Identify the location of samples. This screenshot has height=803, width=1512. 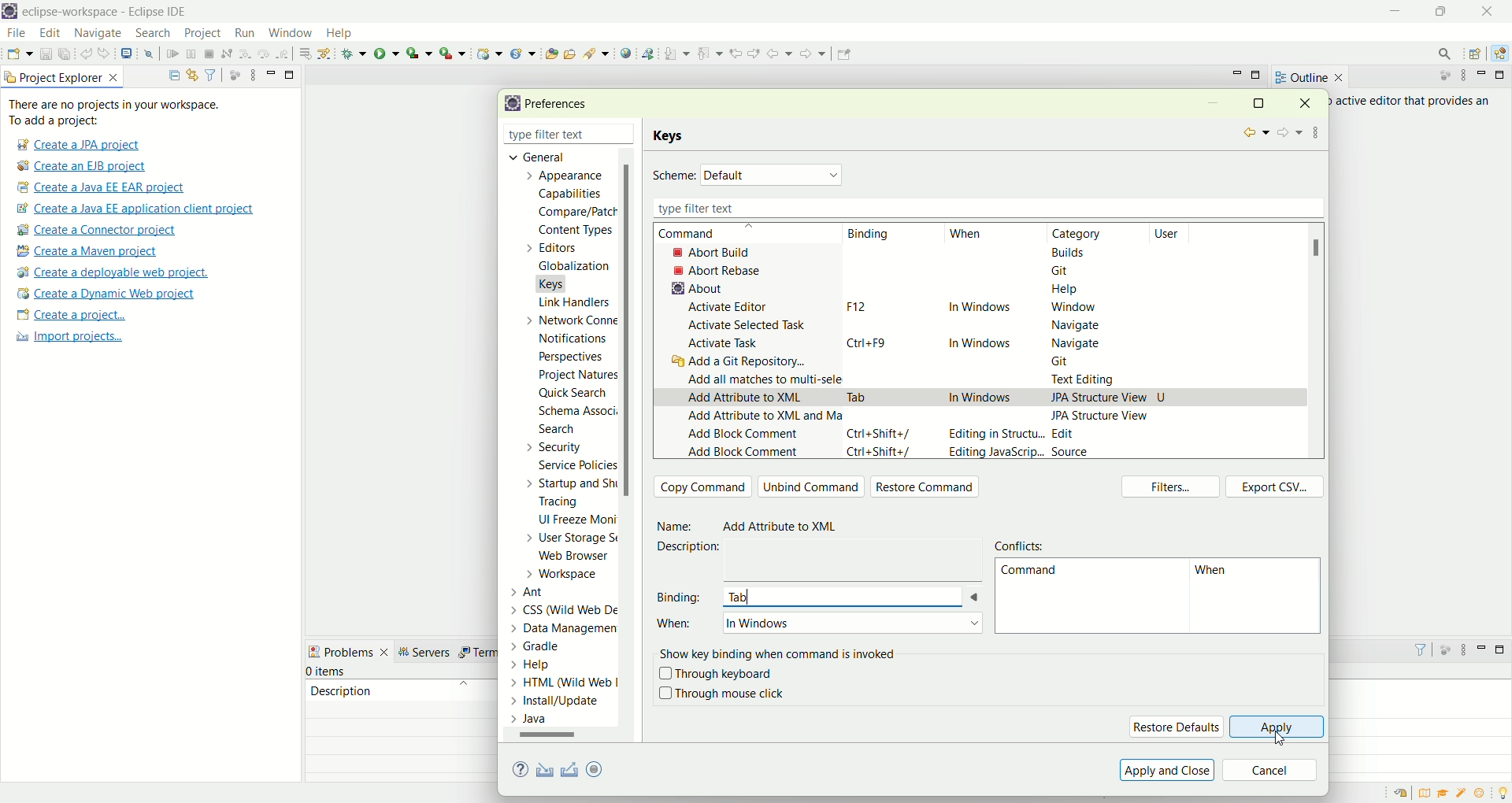
(1463, 793).